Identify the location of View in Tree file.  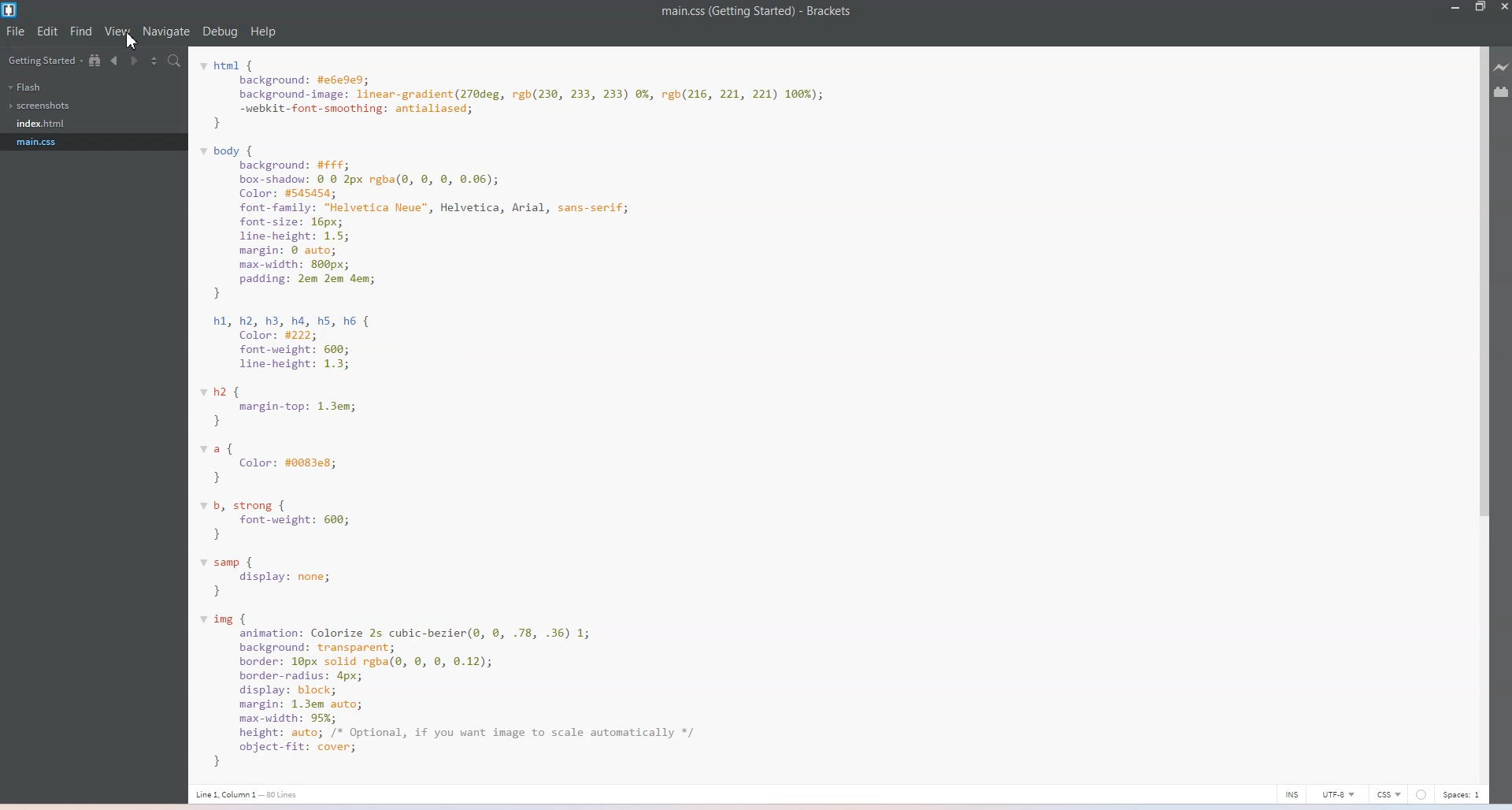
(96, 61).